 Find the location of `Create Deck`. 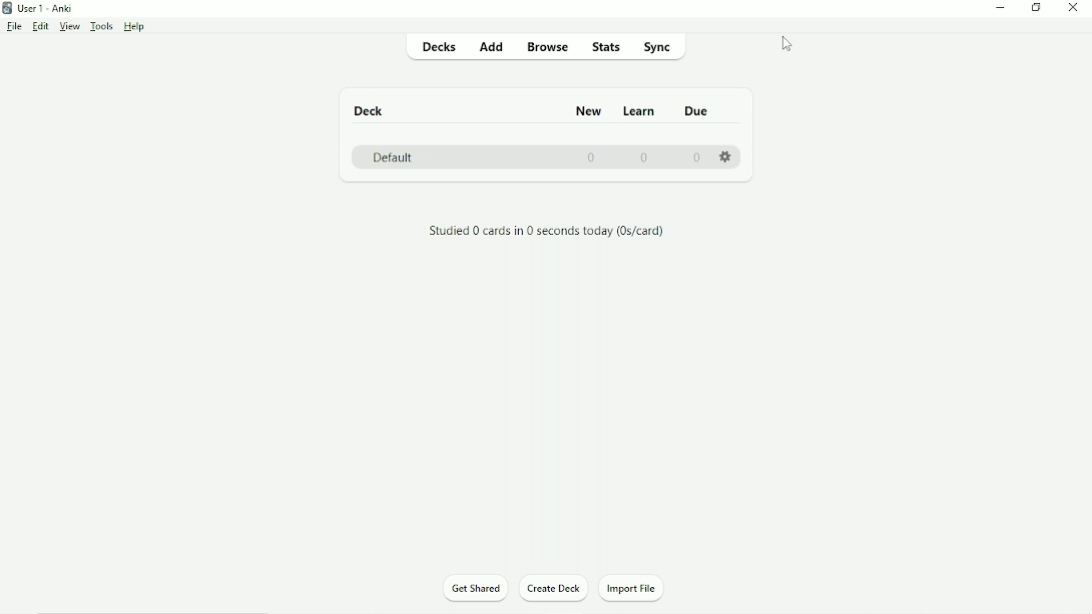

Create Deck is located at coordinates (555, 591).